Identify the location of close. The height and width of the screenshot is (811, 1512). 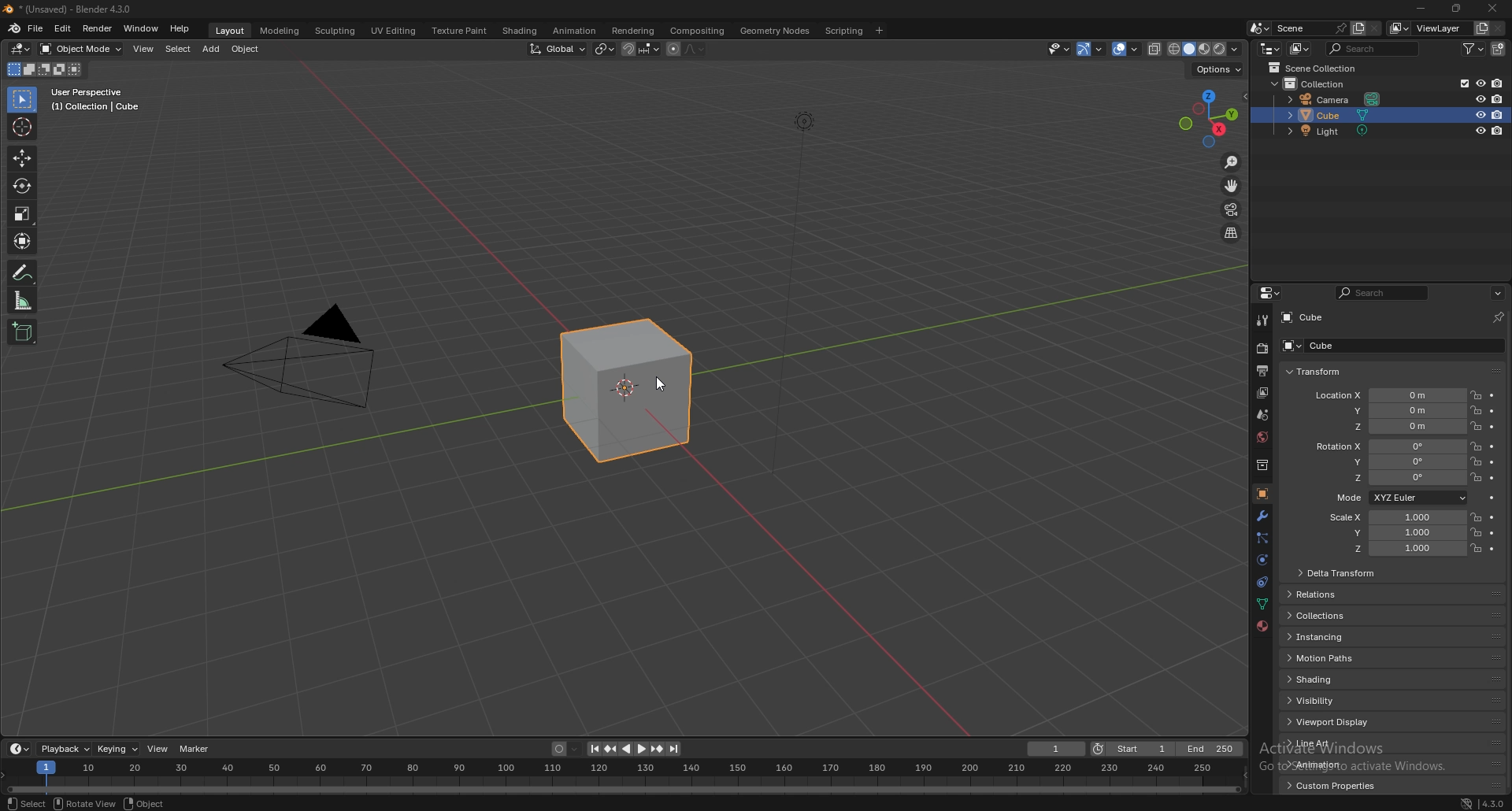
(1493, 8).